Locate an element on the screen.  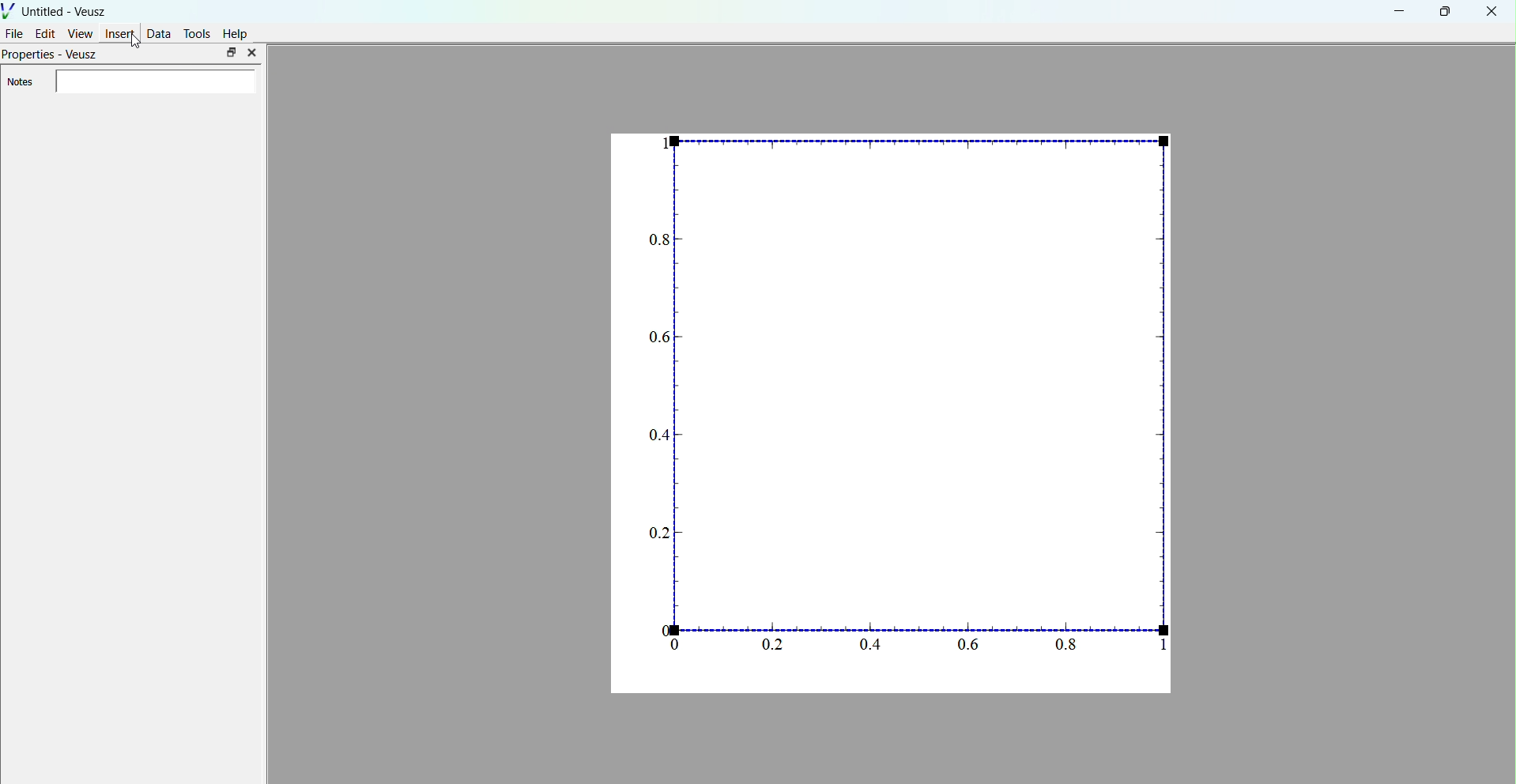
Untitled - Veusz is located at coordinates (57, 9).